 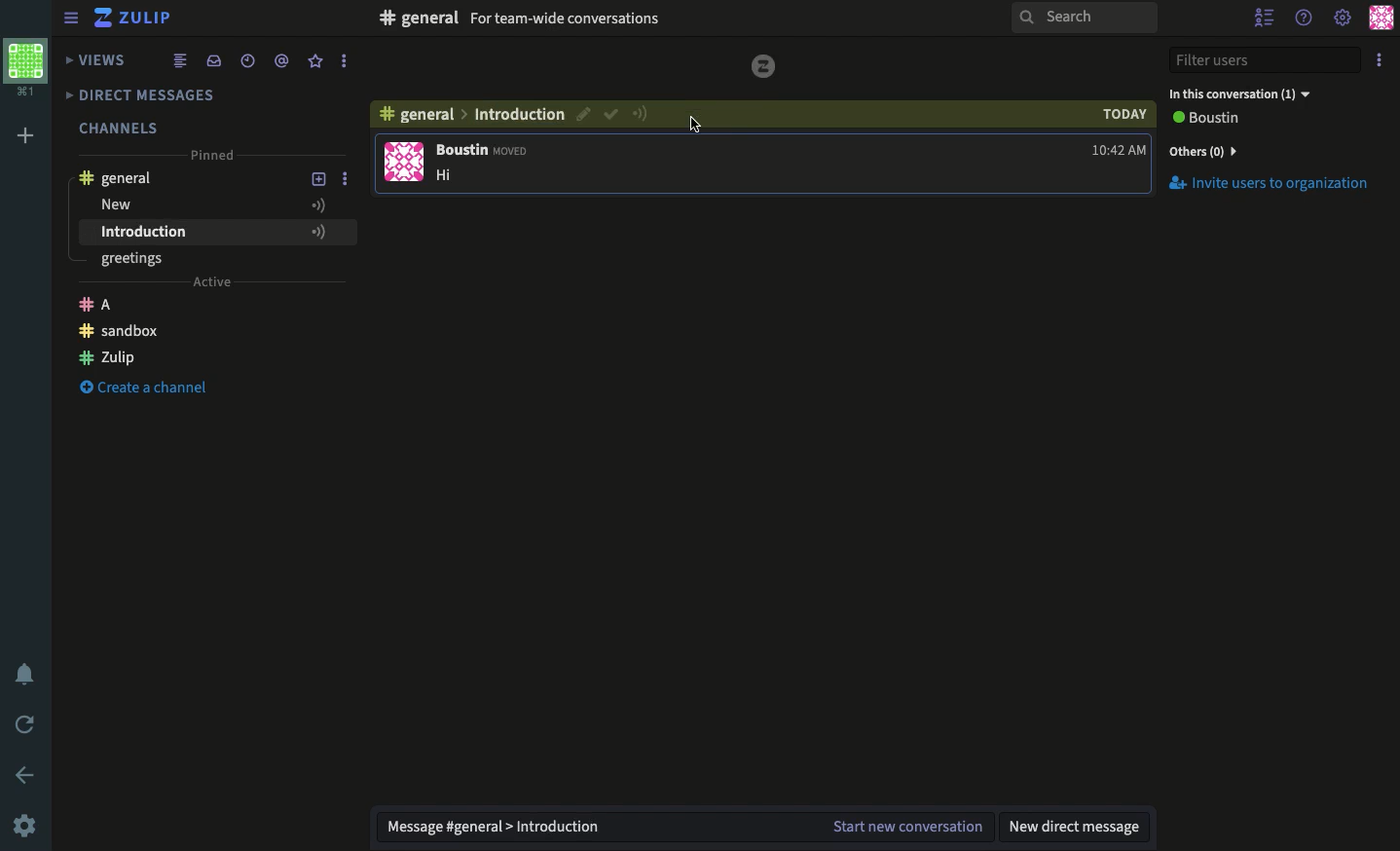 I want to click on Settings, so click(x=27, y=825).